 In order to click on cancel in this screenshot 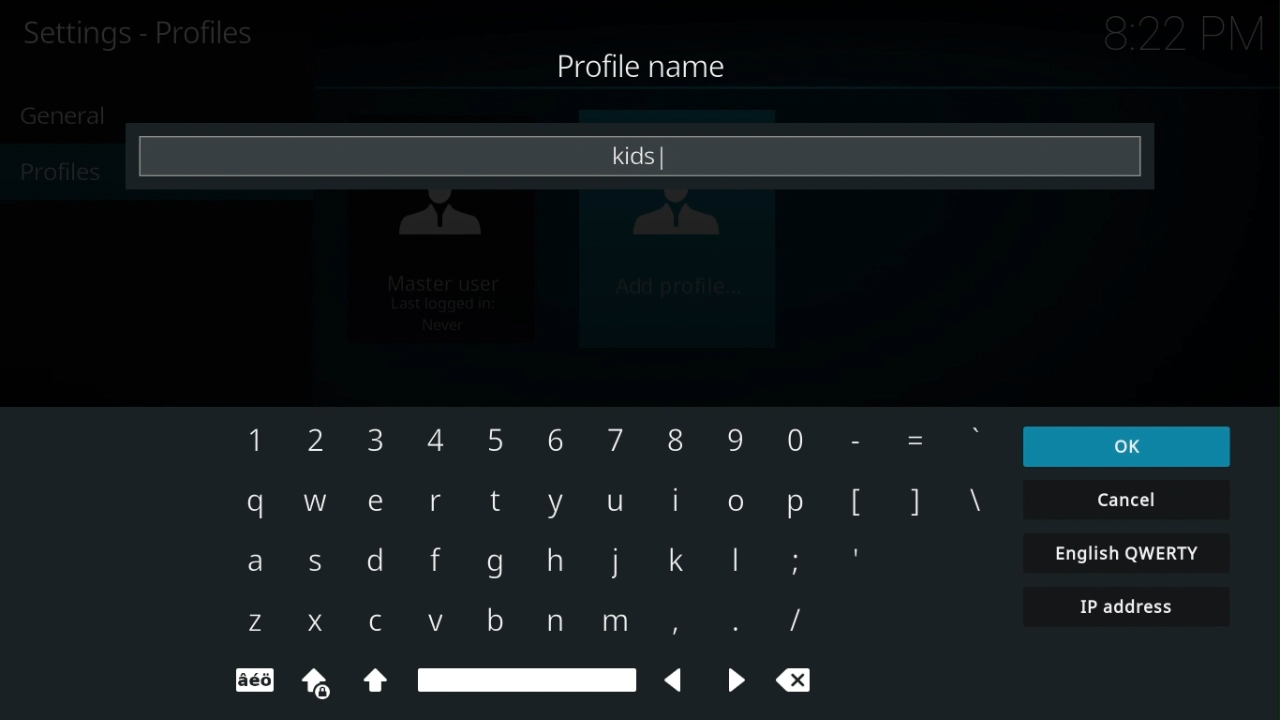, I will do `click(1127, 500)`.